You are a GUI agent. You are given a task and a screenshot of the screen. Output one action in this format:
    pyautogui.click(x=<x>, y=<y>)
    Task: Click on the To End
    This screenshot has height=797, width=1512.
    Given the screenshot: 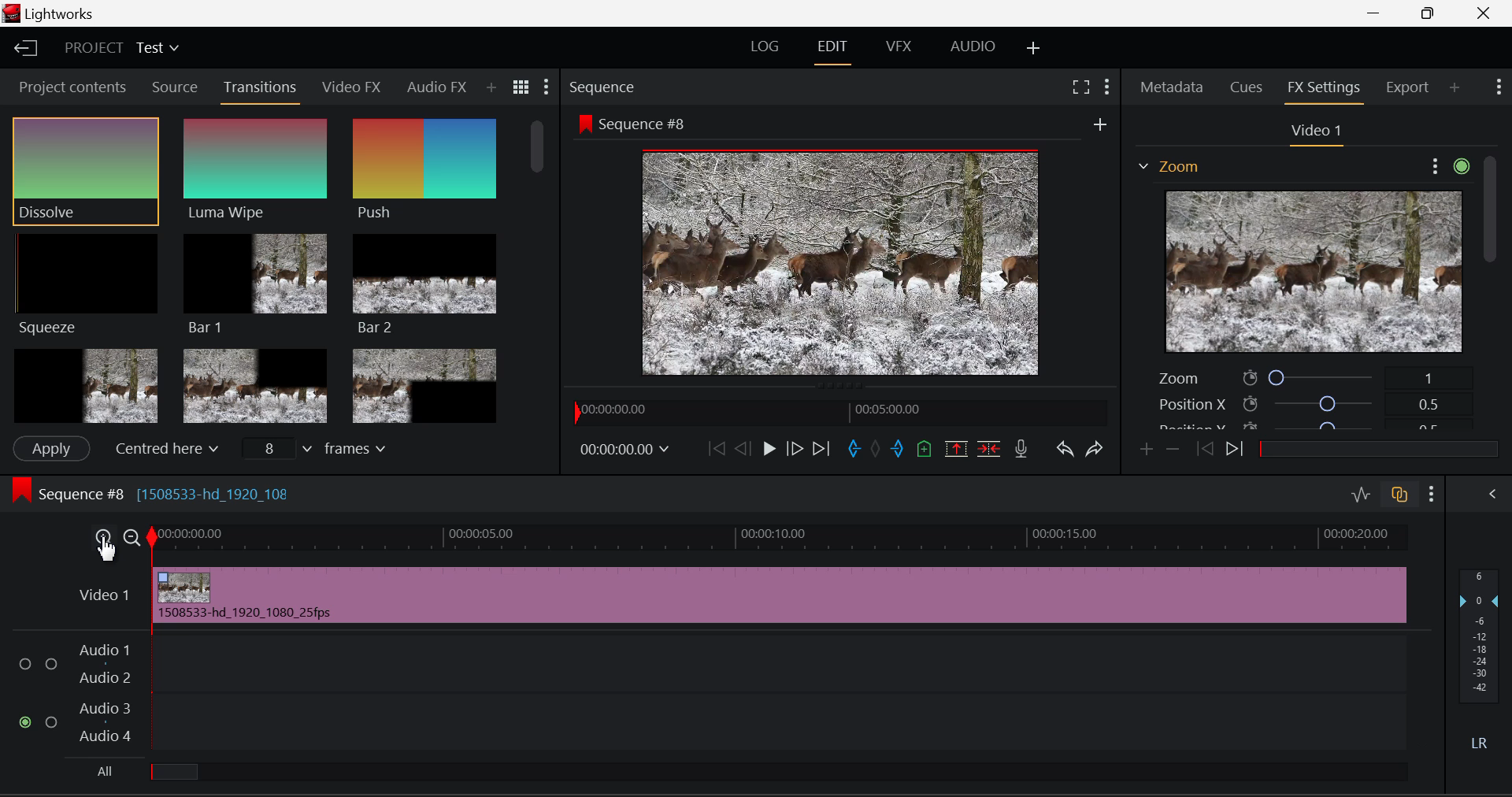 What is the action you would take?
    pyautogui.click(x=821, y=450)
    